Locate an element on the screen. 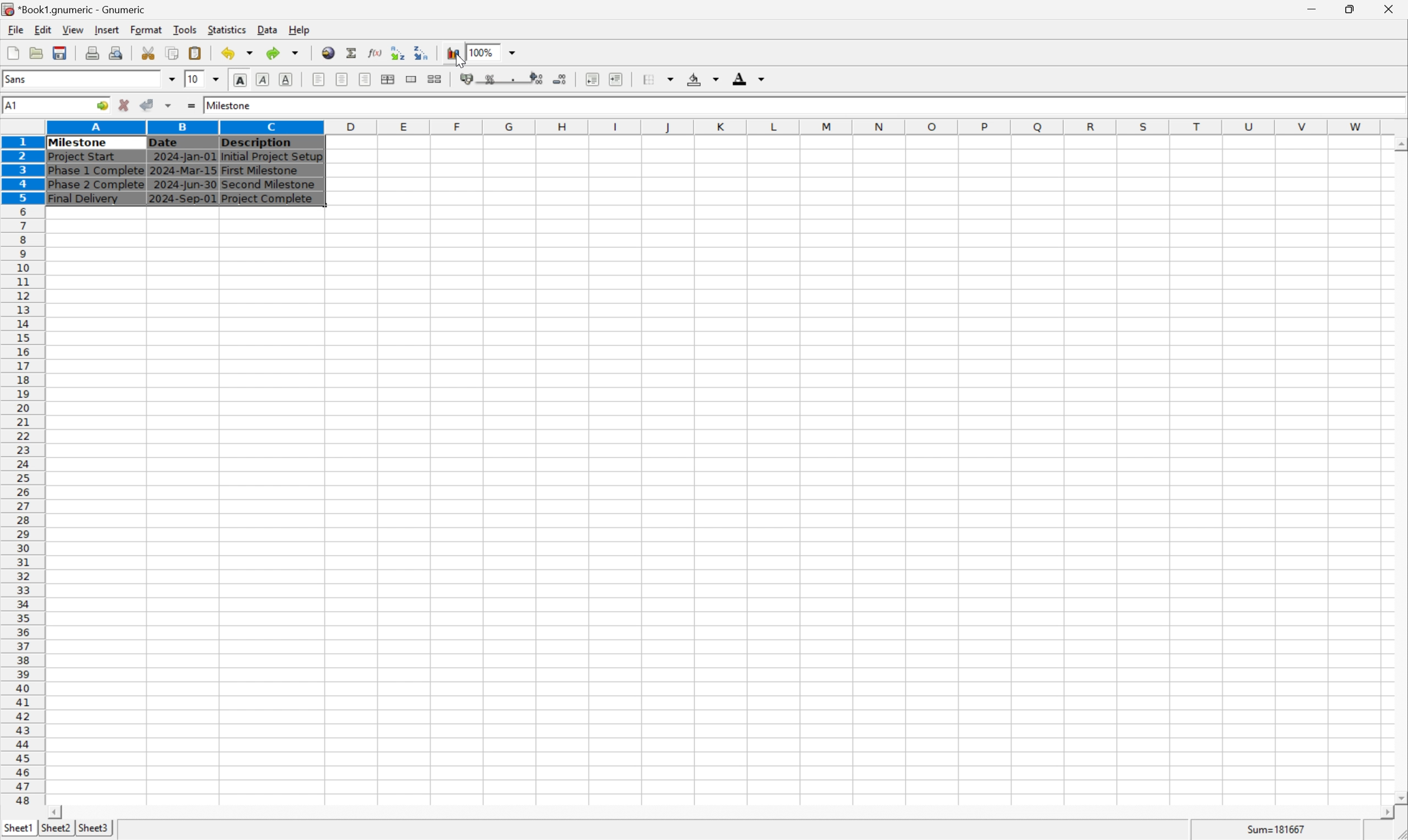 Image resolution: width=1408 pixels, height=840 pixels. enter formula is located at coordinates (190, 106).